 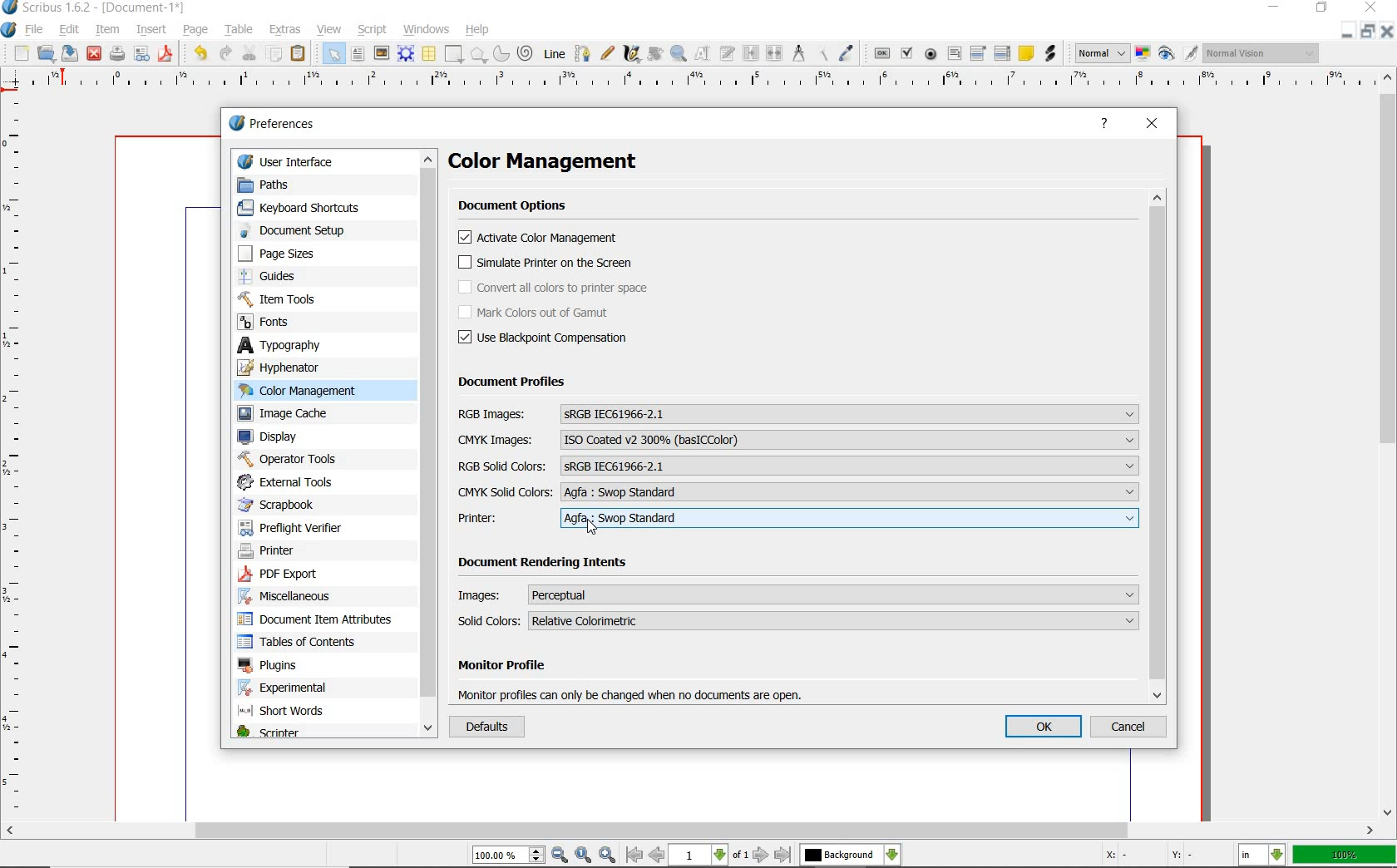 I want to click on insert, so click(x=151, y=28).